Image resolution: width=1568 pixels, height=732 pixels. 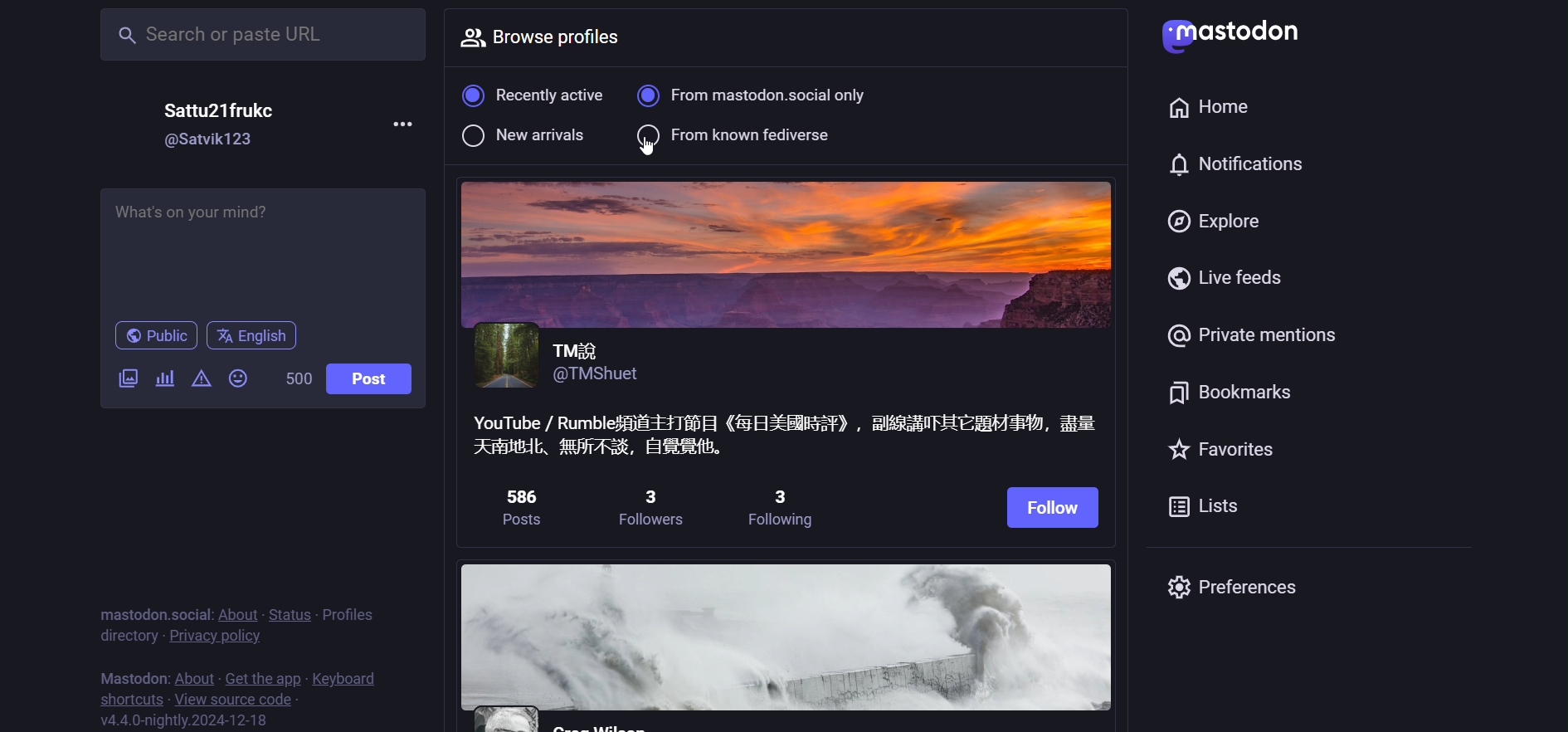 I want to click on favorites, so click(x=1237, y=448).